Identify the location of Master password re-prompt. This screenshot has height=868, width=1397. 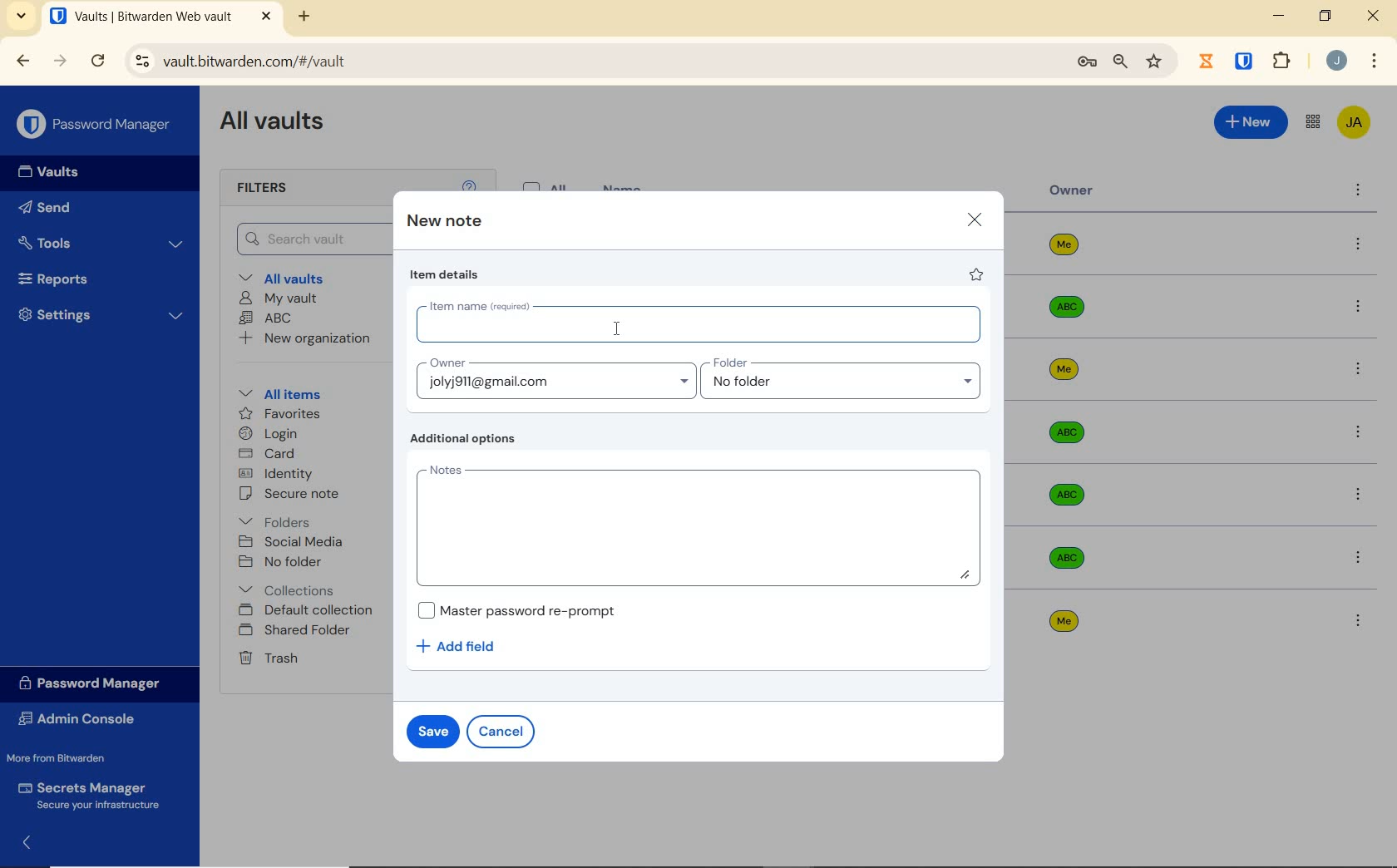
(516, 610).